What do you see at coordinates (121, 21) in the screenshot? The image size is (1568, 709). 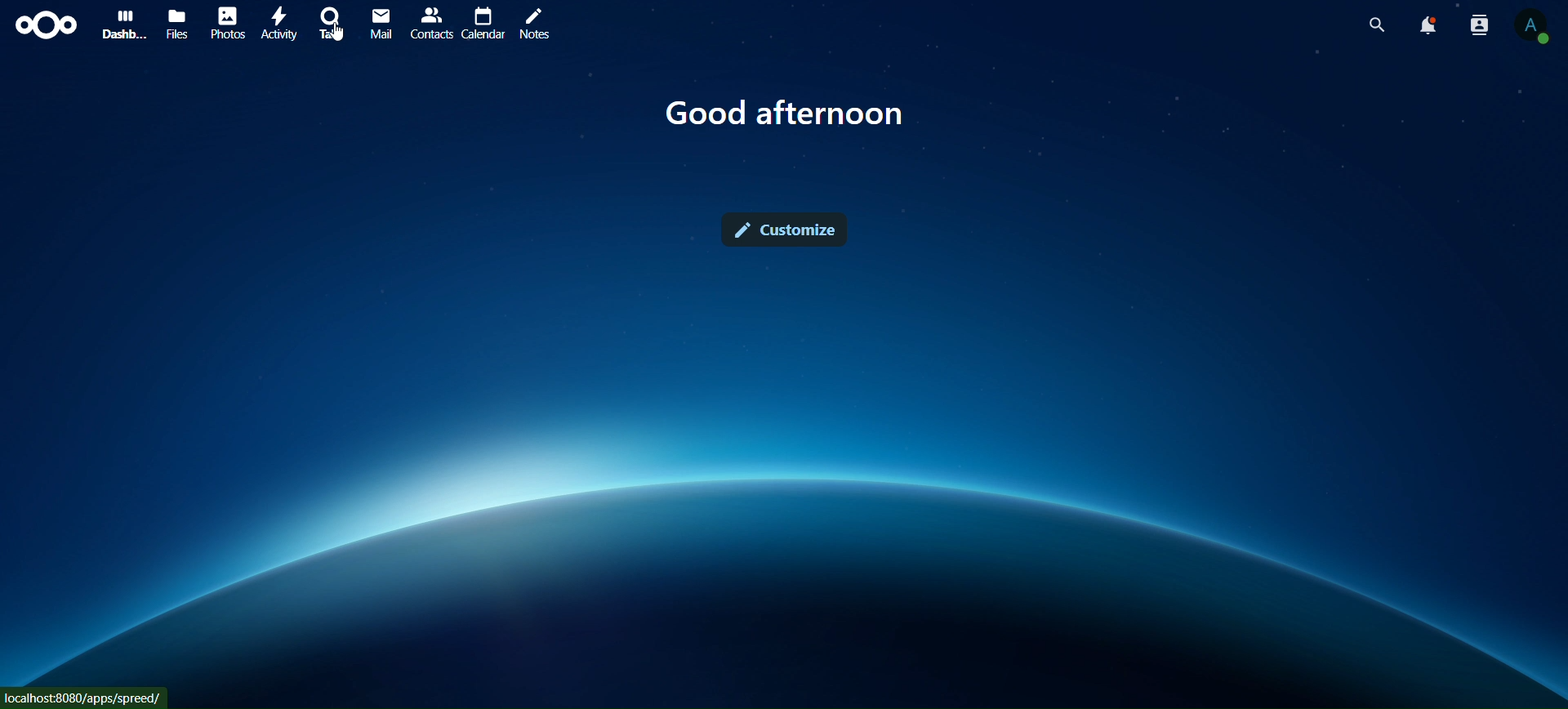 I see `dashboard` at bounding box center [121, 21].